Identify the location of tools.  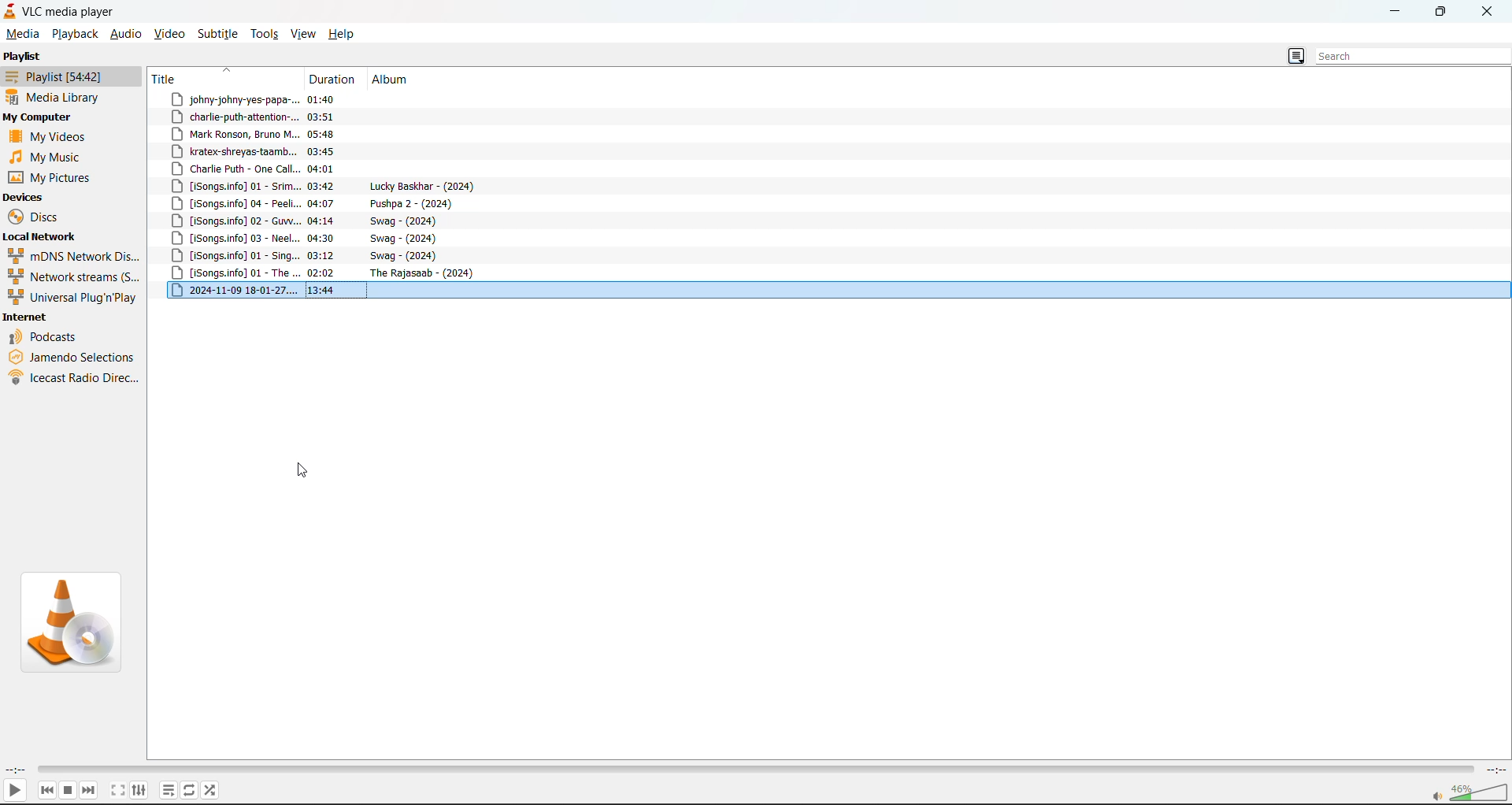
(268, 34).